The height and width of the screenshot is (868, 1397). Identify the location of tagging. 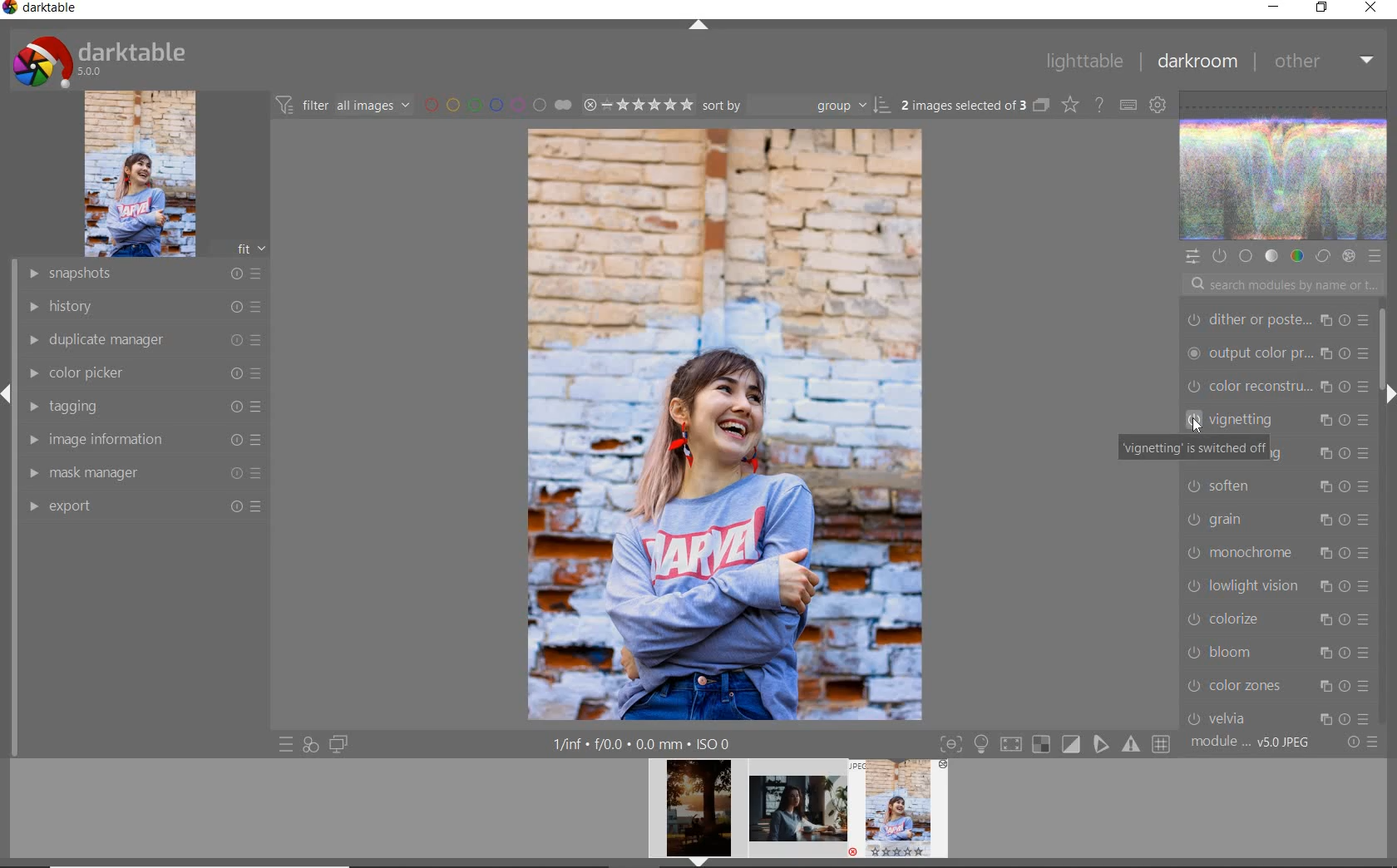
(140, 405).